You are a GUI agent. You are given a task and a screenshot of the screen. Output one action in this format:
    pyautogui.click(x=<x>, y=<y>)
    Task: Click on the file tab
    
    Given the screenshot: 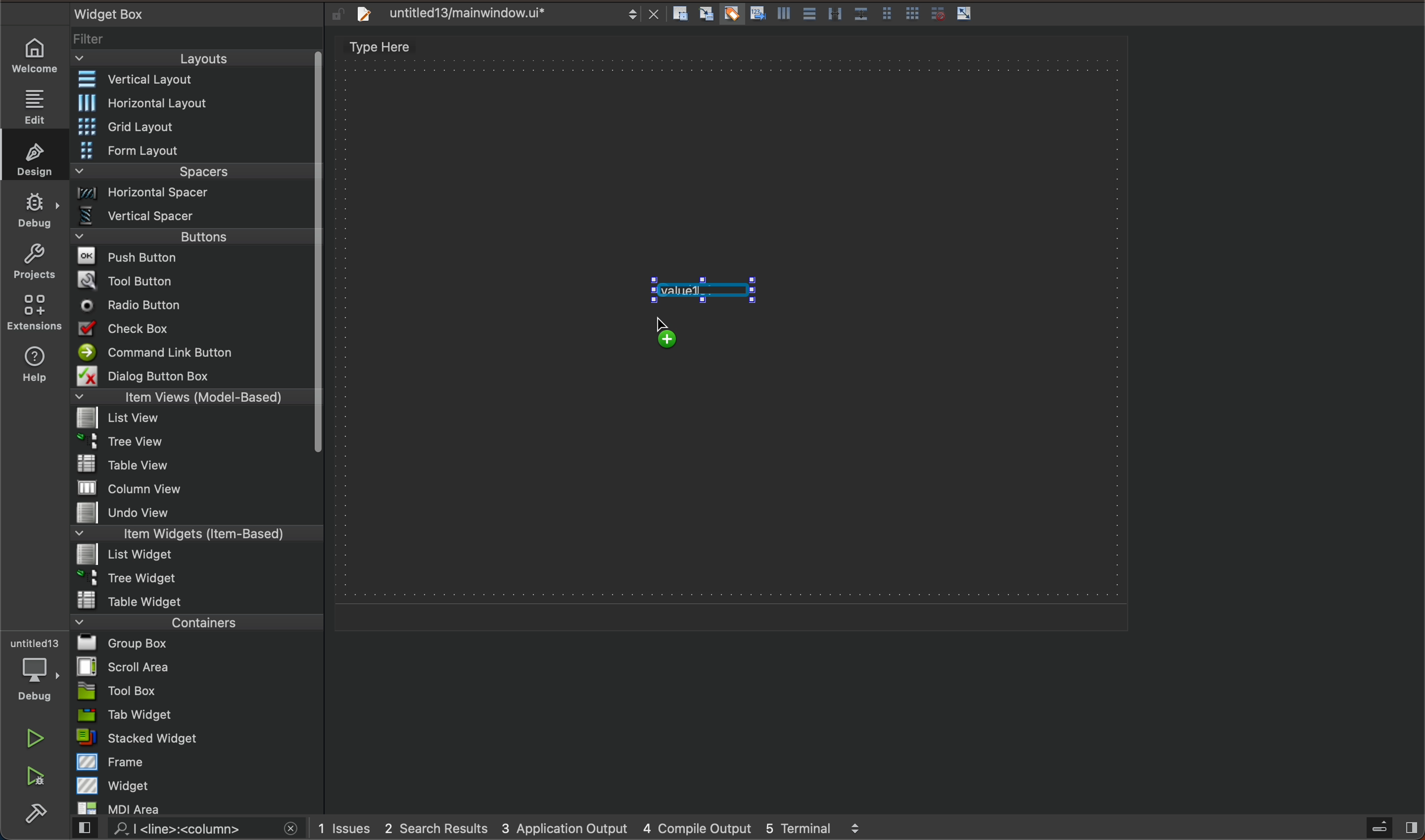 What is the action you would take?
    pyautogui.click(x=504, y=14)
    